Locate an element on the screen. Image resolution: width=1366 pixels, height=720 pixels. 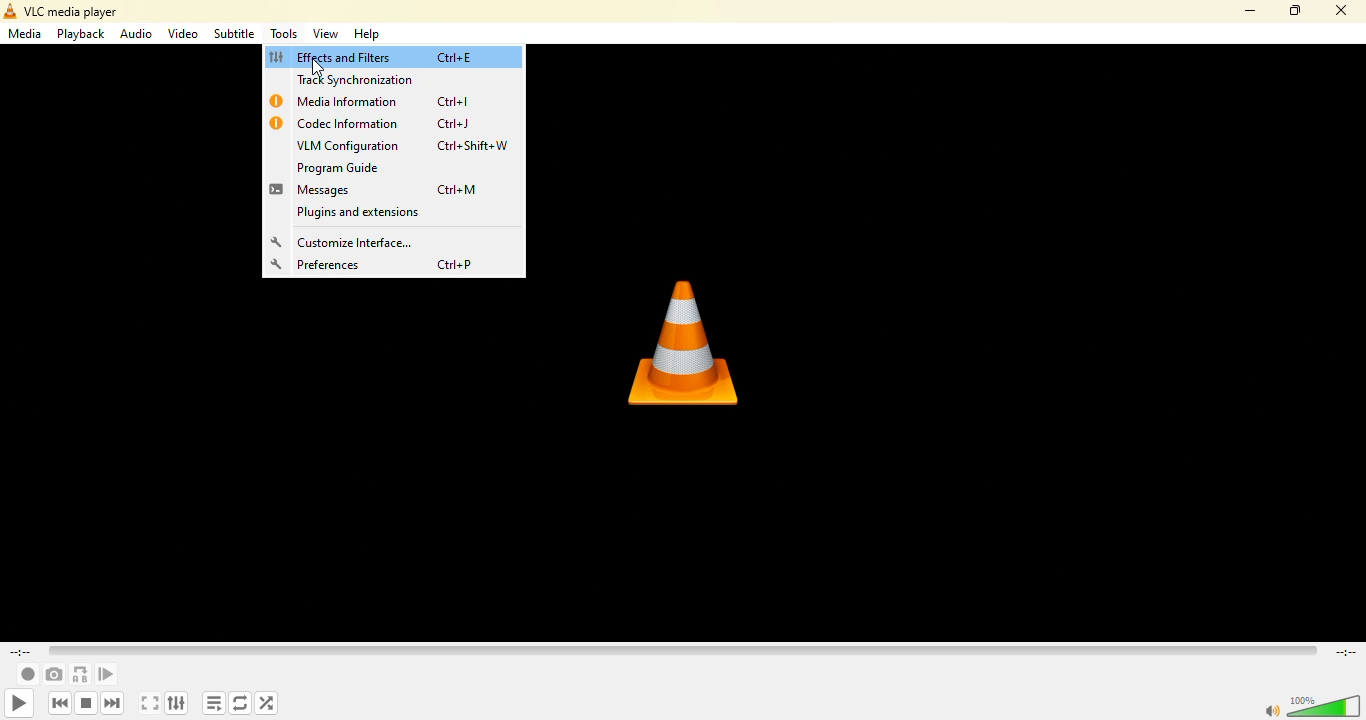
track synchronization is located at coordinates (354, 80).